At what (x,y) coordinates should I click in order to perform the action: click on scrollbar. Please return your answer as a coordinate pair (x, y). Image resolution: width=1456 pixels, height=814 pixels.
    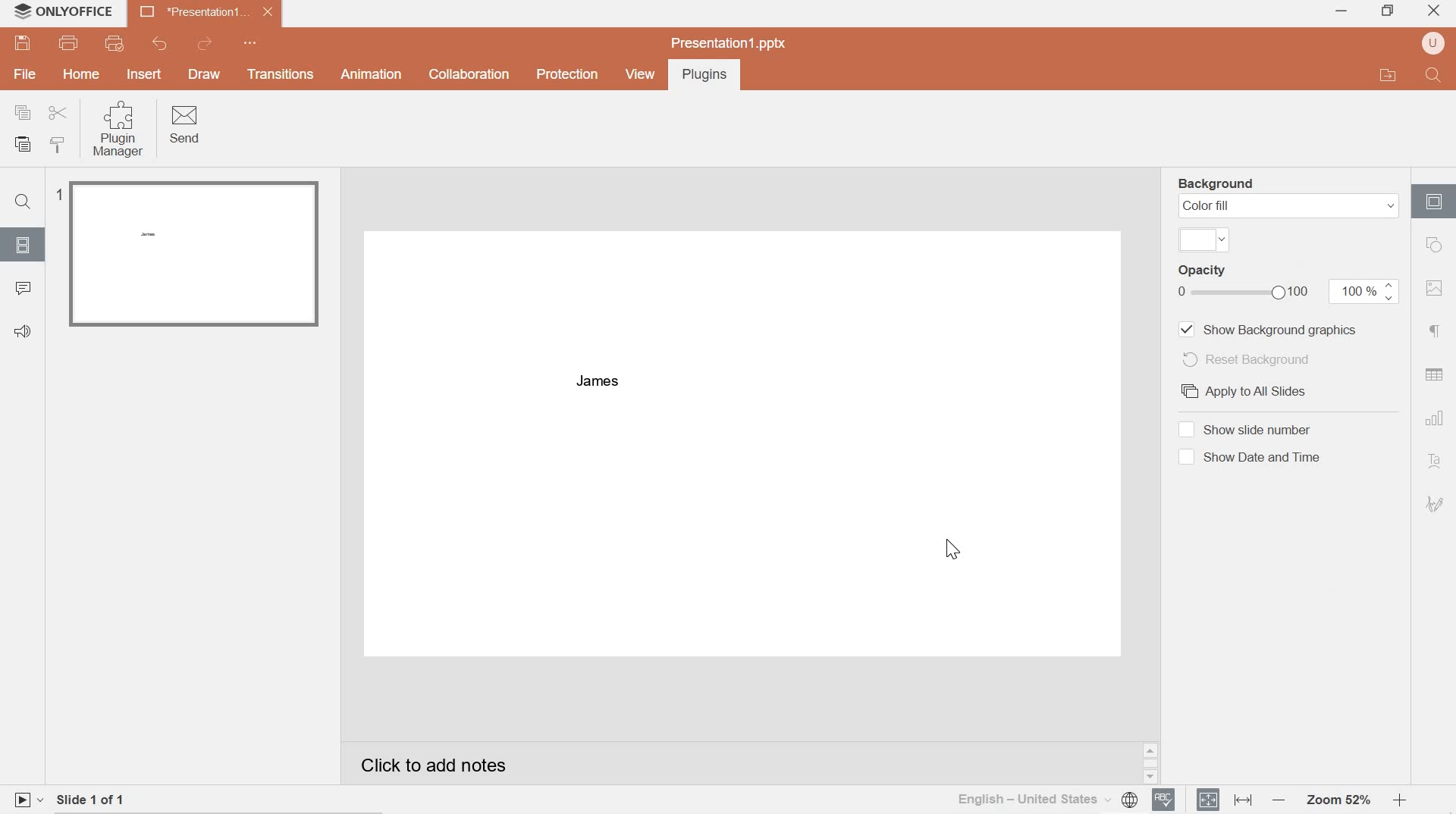
    Looking at the image, I should click on (1150, 764).